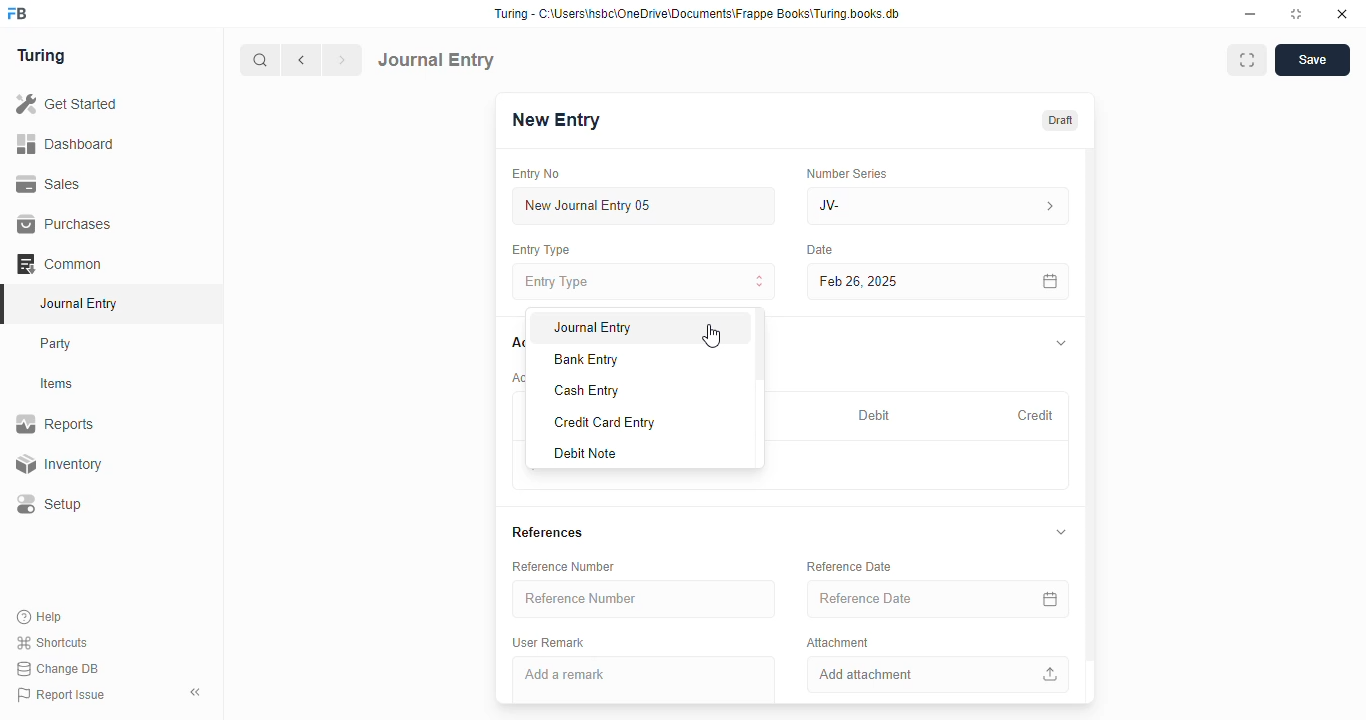 The image size is (1366, 720). What do you see at coordinates (605, 423) in the screenshot?
I see `credit card entry` at bounding box center [605, 423].